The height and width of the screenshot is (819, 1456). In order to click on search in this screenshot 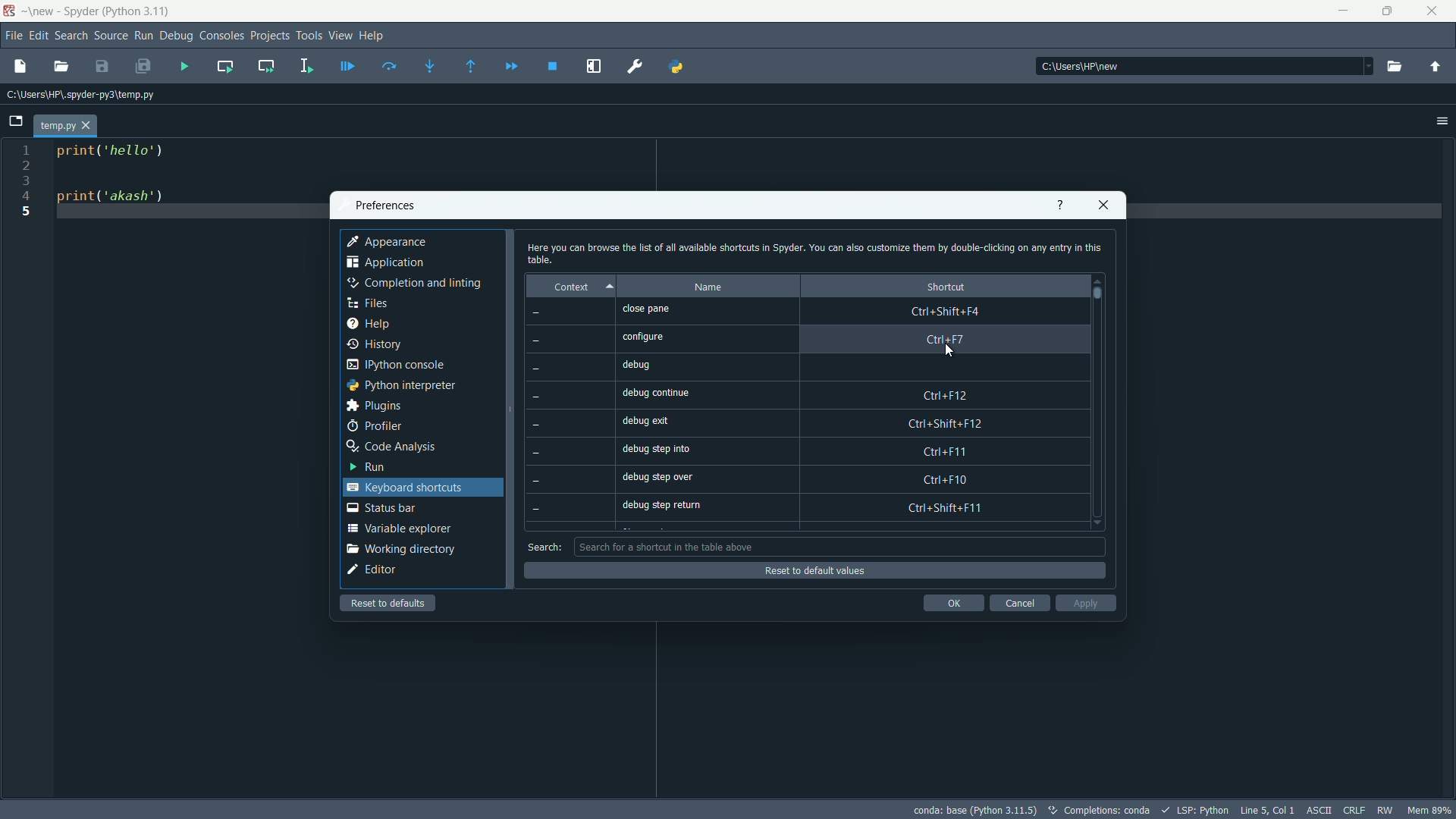, I will do `click(544, 547)`.